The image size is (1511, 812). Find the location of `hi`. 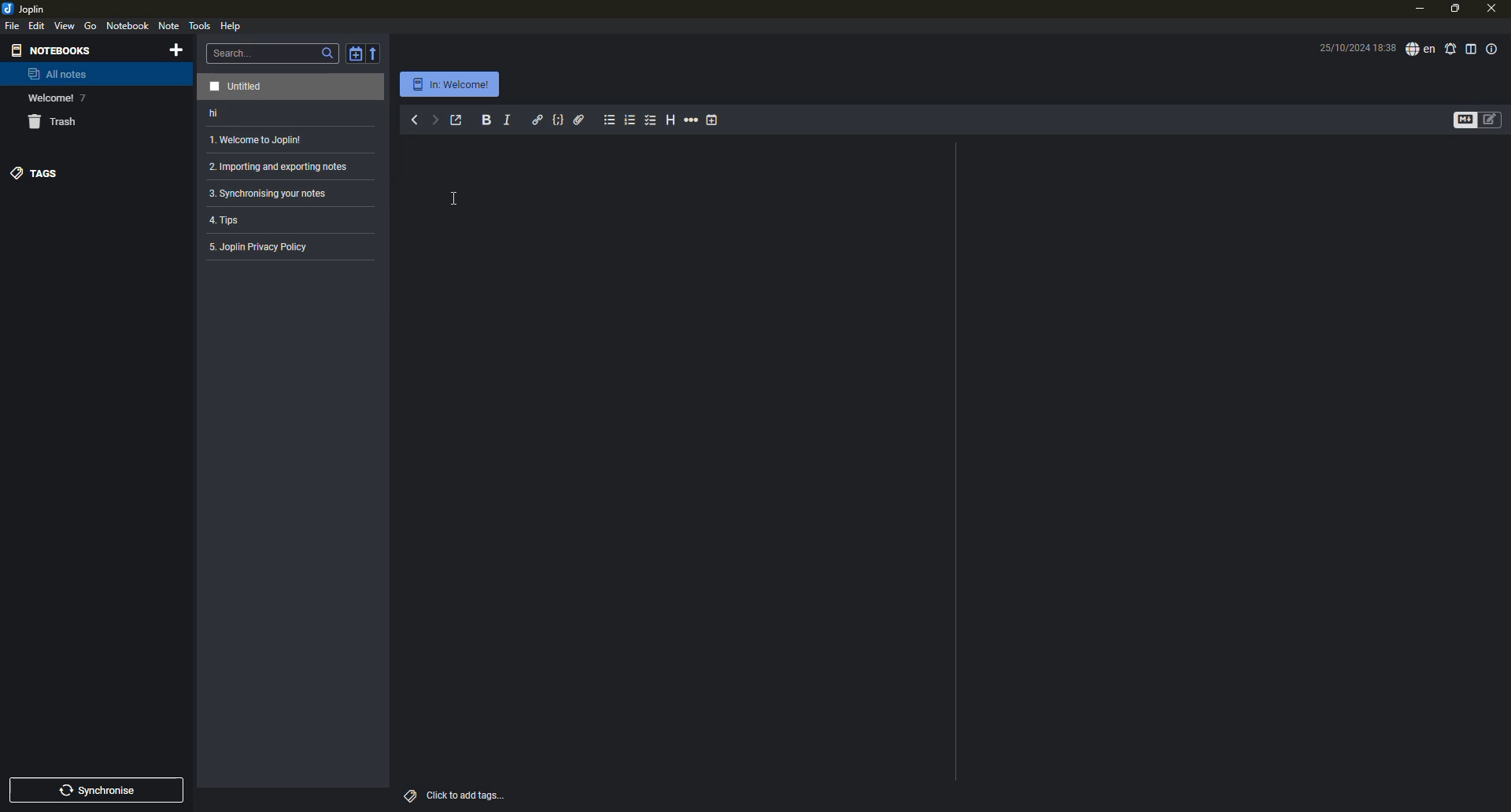

hi is located at coordinates (225, 114).